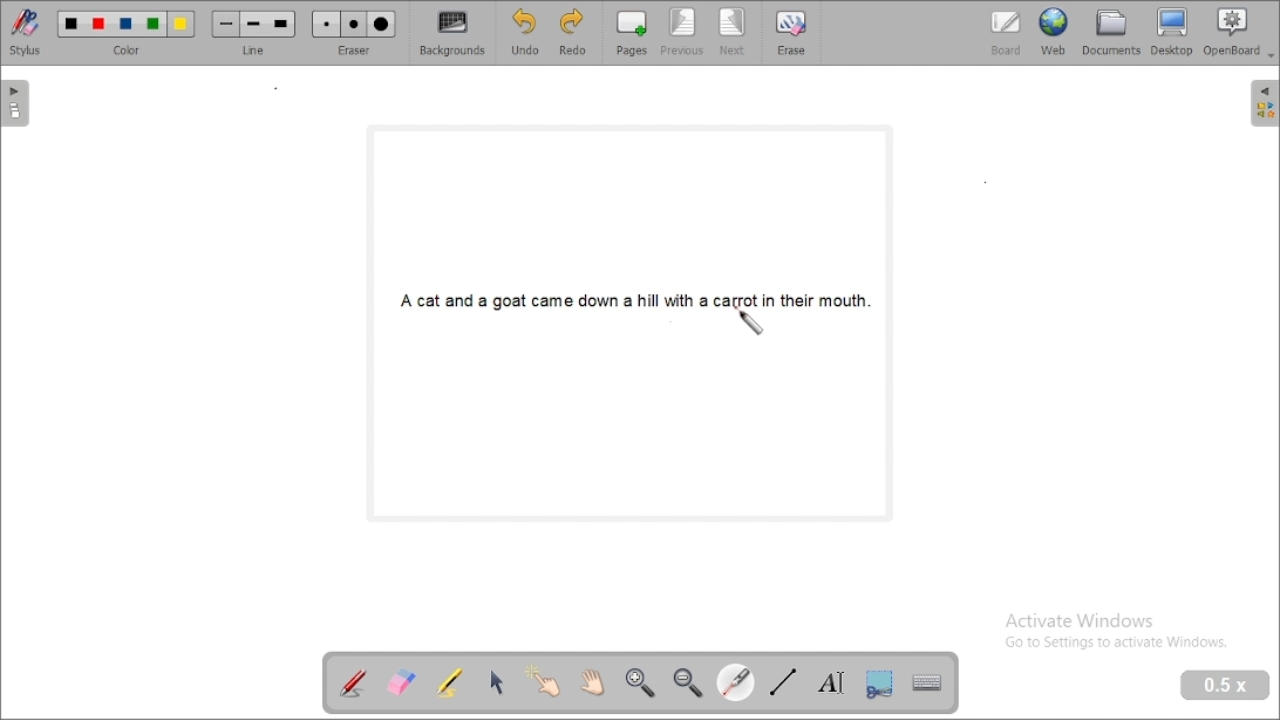 The width and height of the screenshot is (1280, 720). Describe the element at coordinates (1272, 56) in the screenshot. I see `Dropdown` at that location.